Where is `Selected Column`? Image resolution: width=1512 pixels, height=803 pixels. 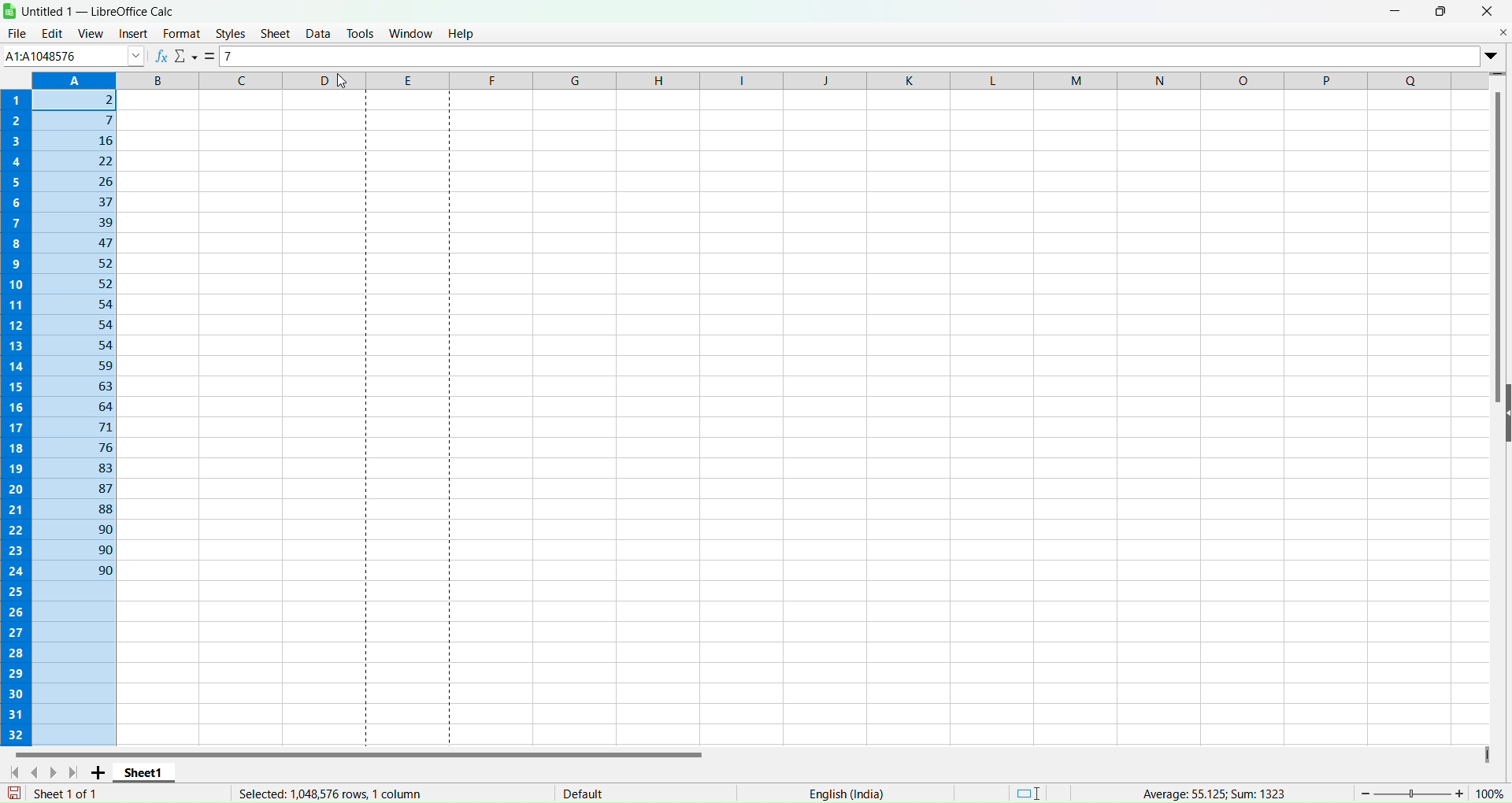 Selected Column is located at coordinates (76, 417).